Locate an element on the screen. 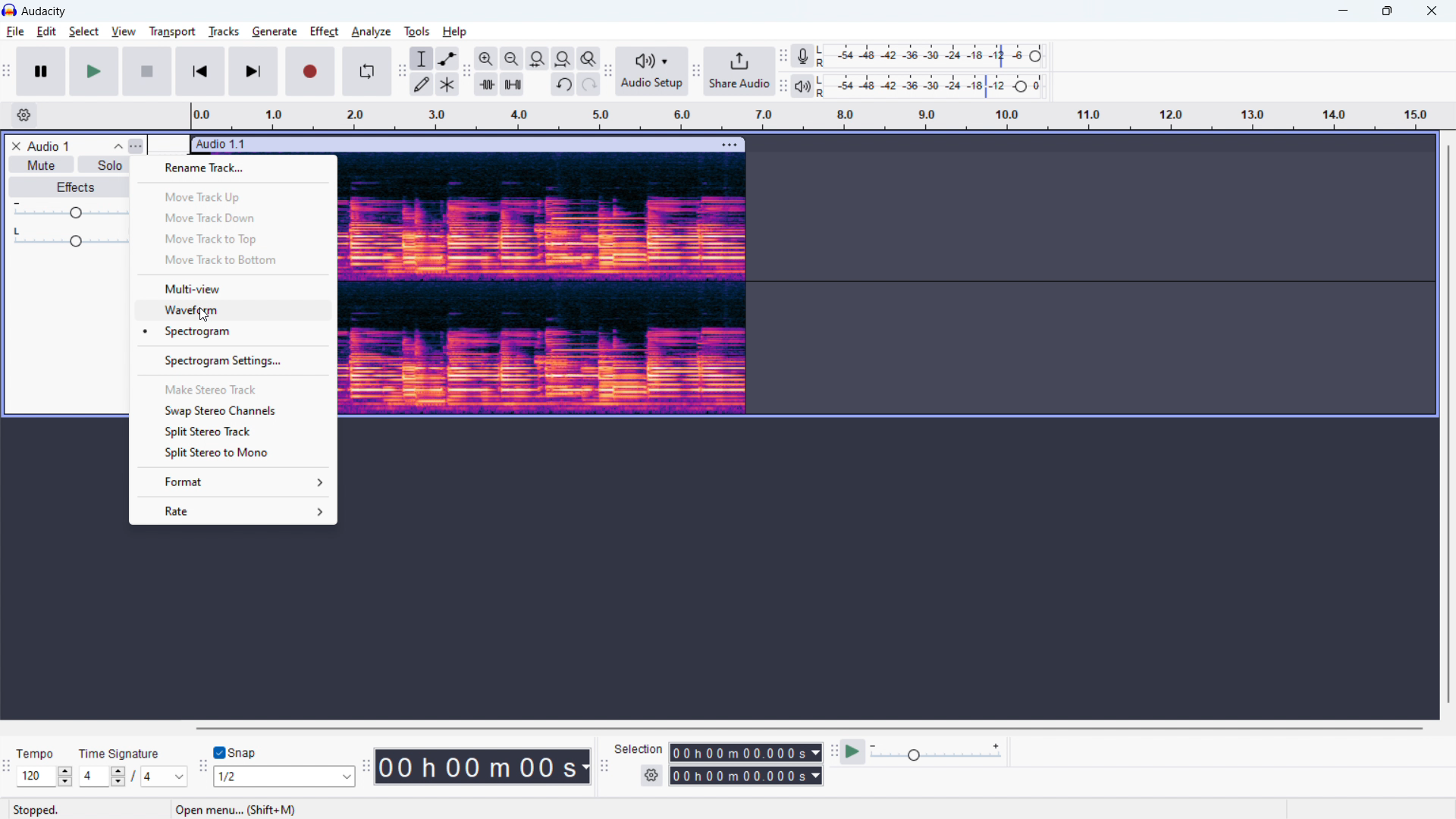 Image resolution: width=1456 pixels, height=819 pixels. timeline is located at coordinates (813, 115).